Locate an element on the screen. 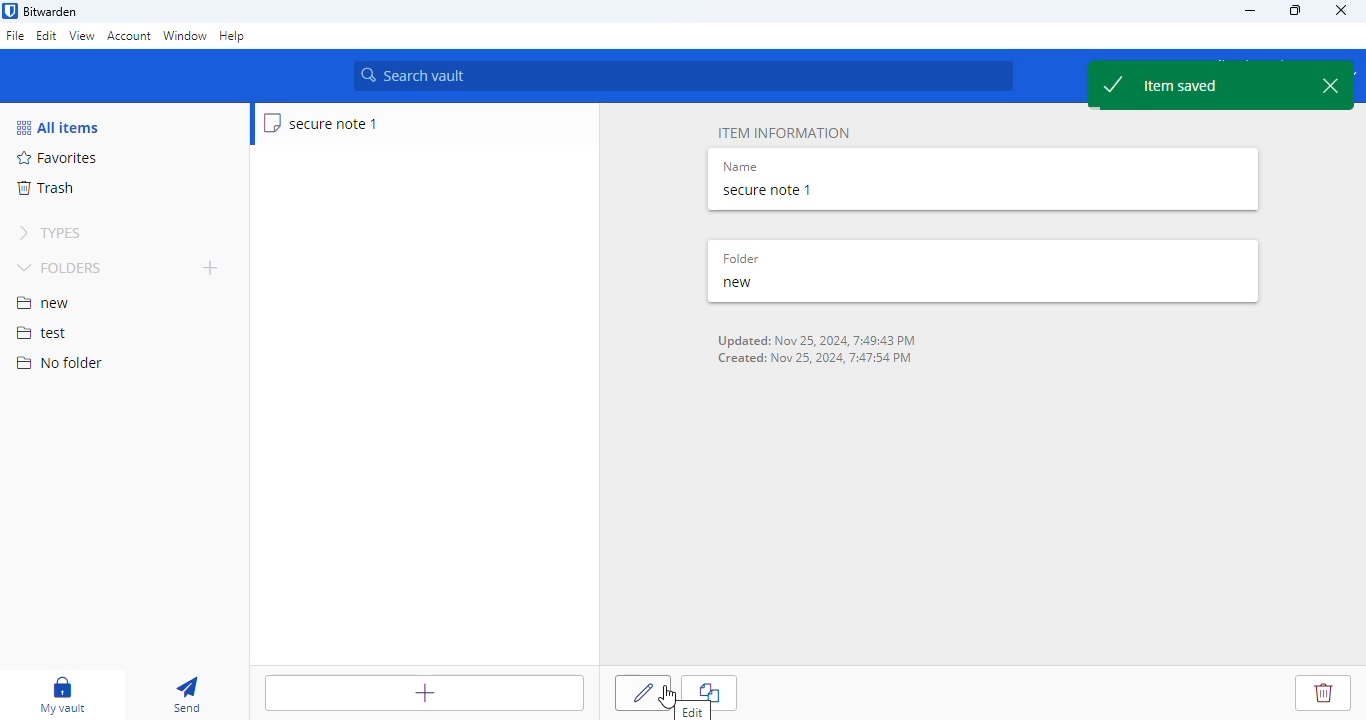 This screenshot has height=720, width=1366. name is located at coordinates (740, 168).